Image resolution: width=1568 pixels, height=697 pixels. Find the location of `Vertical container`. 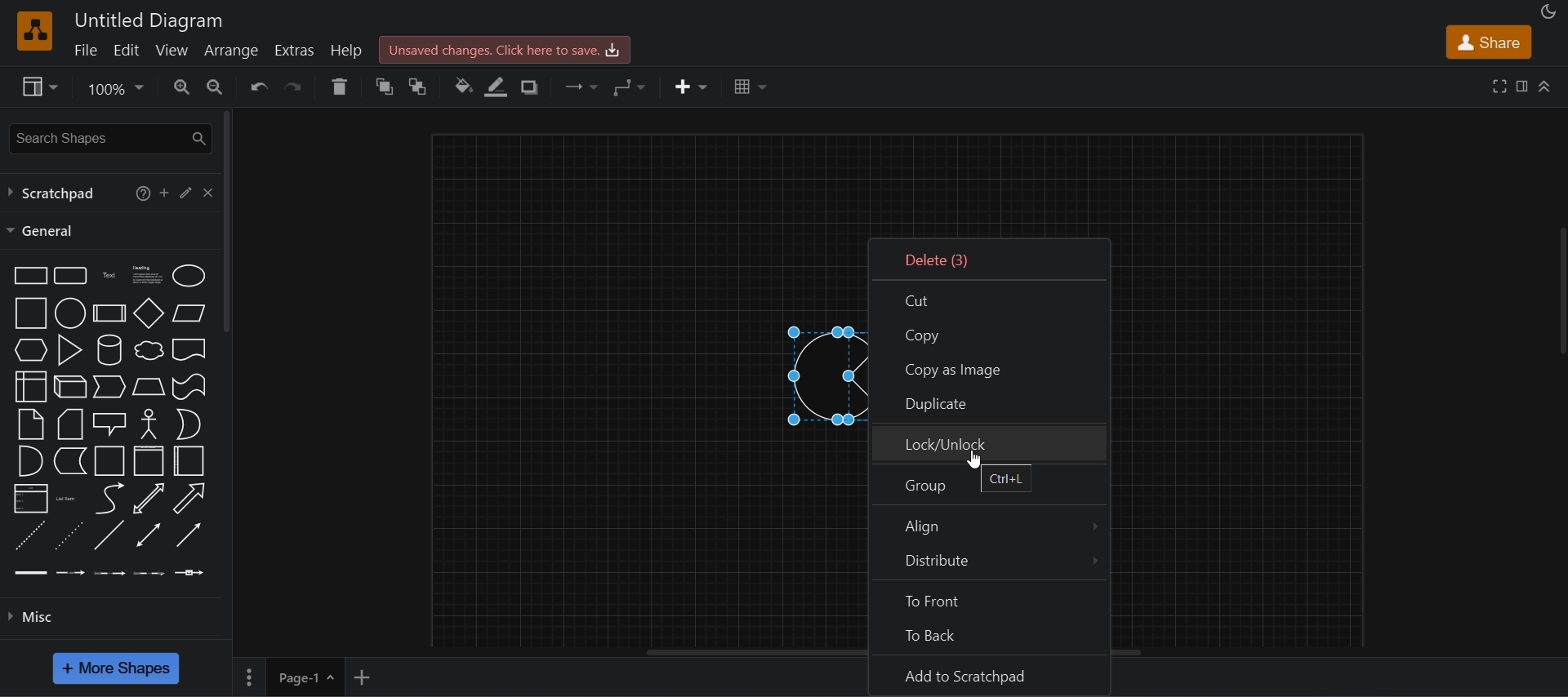

Vertical container is located at coordinates (149, 461).